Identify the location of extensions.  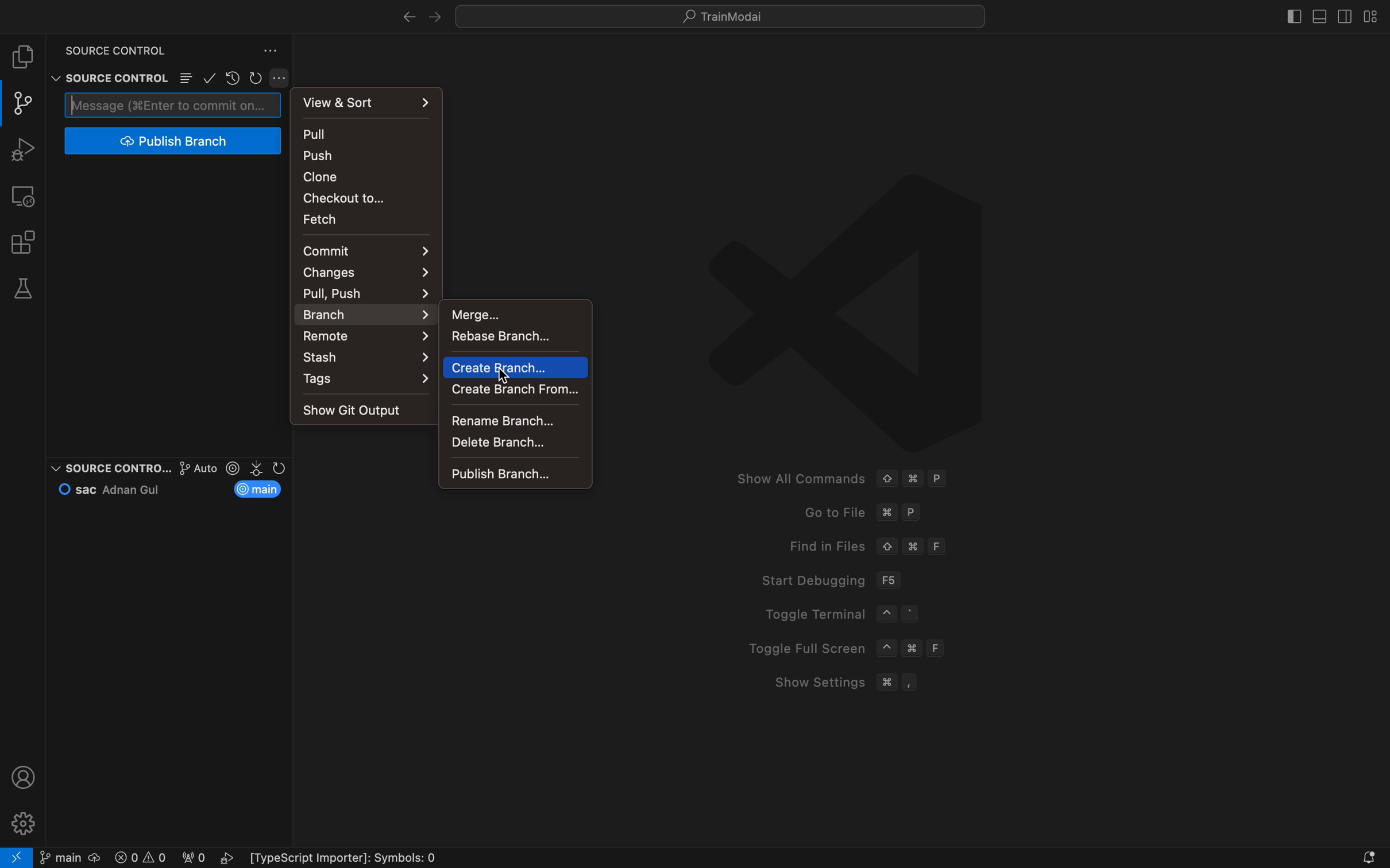
(25, 242).